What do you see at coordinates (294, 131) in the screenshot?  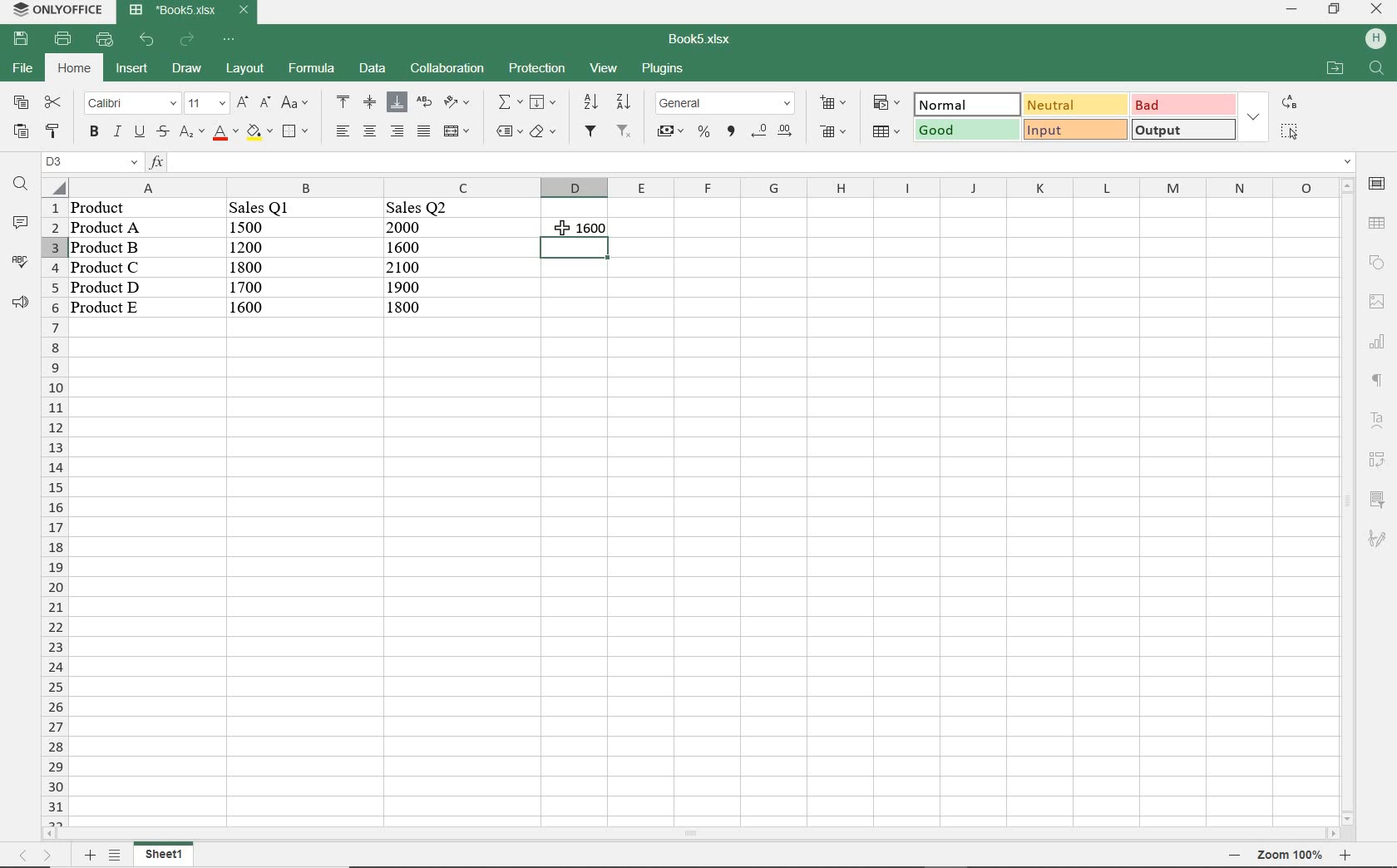 I see `borders` at bounding box center [294, 131].